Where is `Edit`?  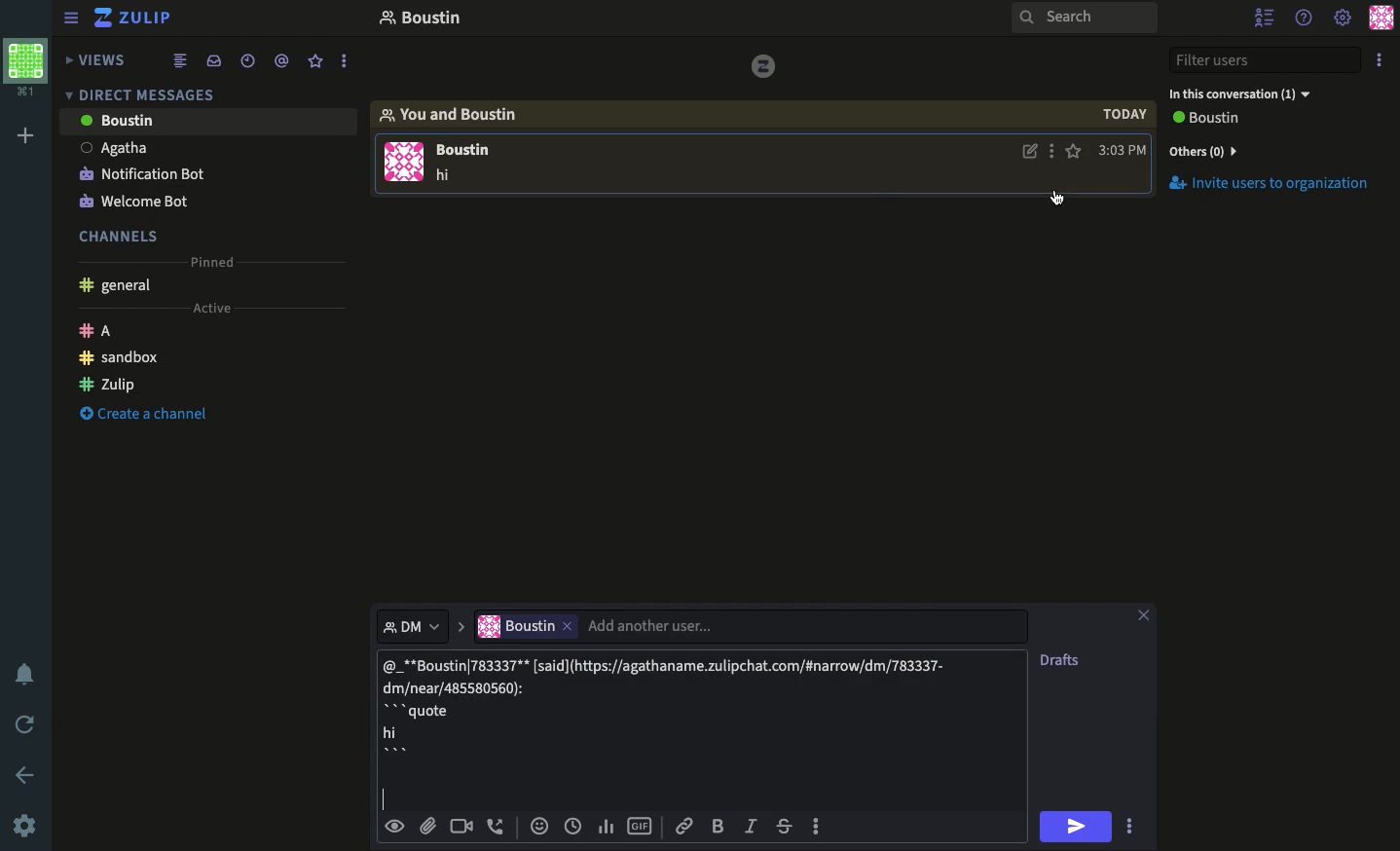 Edit is located at coordinates (1030, 154).